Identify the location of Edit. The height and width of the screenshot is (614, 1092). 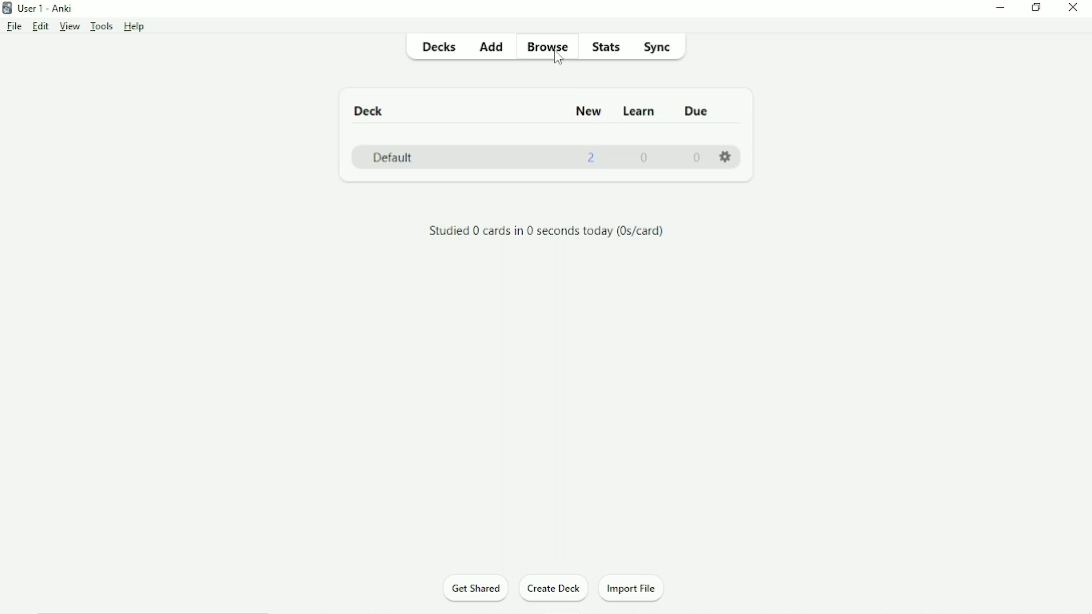
(42, 27).